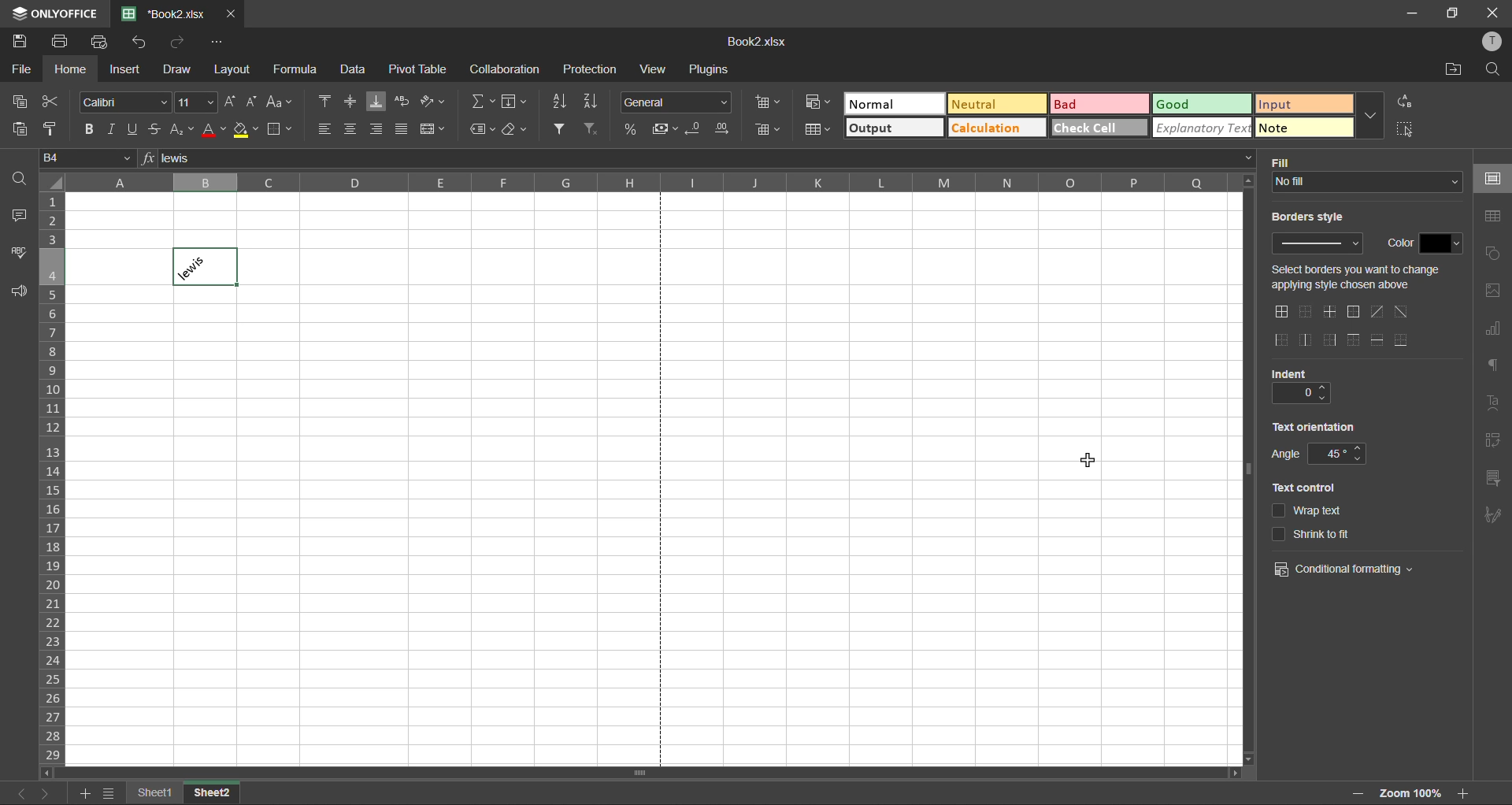 The width and height of the screenshot is (1512, 805). Describe the element at coordinates (1097, 128) in the screenshot. I see `check cell` at that location.